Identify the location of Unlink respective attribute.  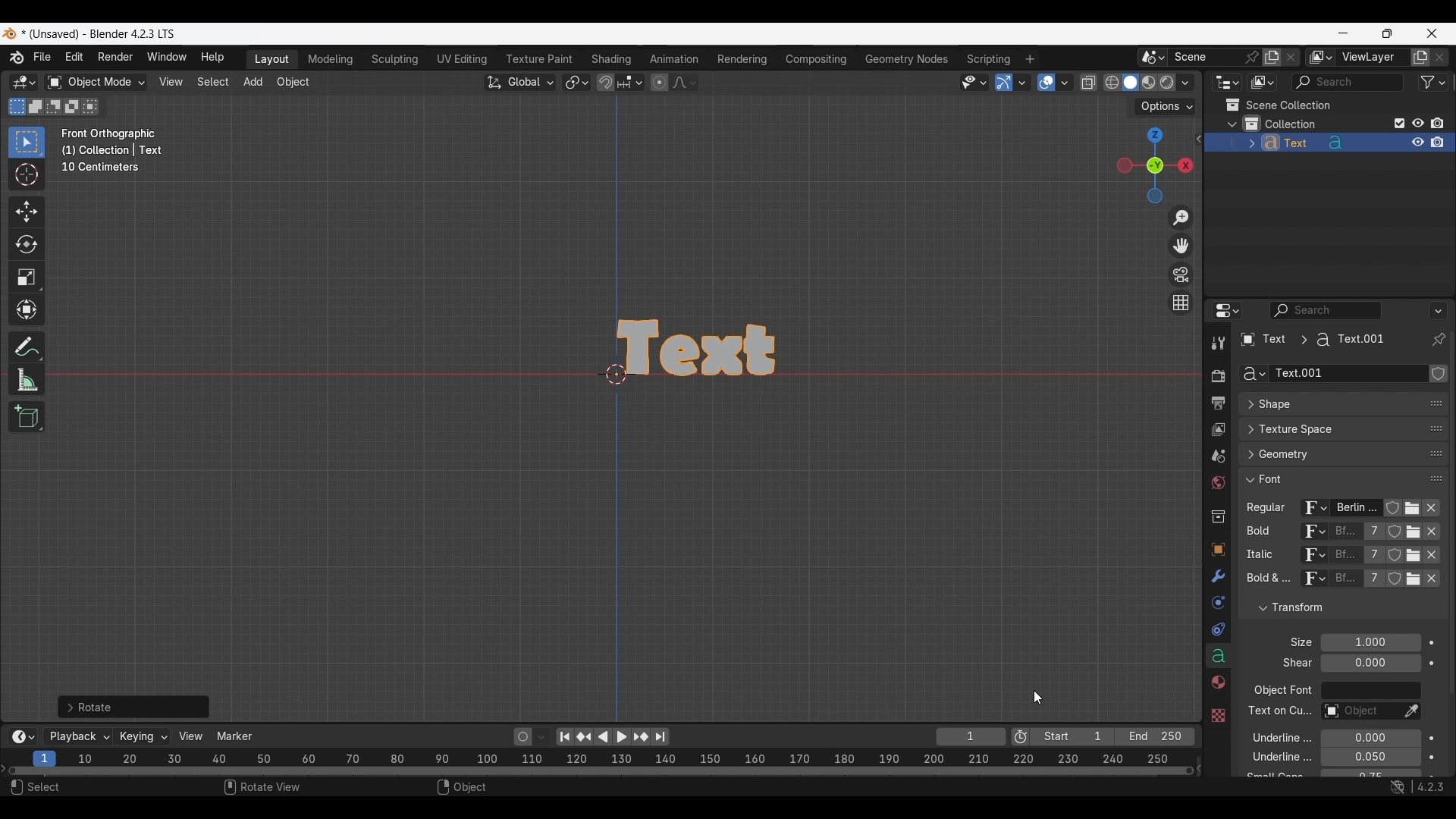
(1436, 510).